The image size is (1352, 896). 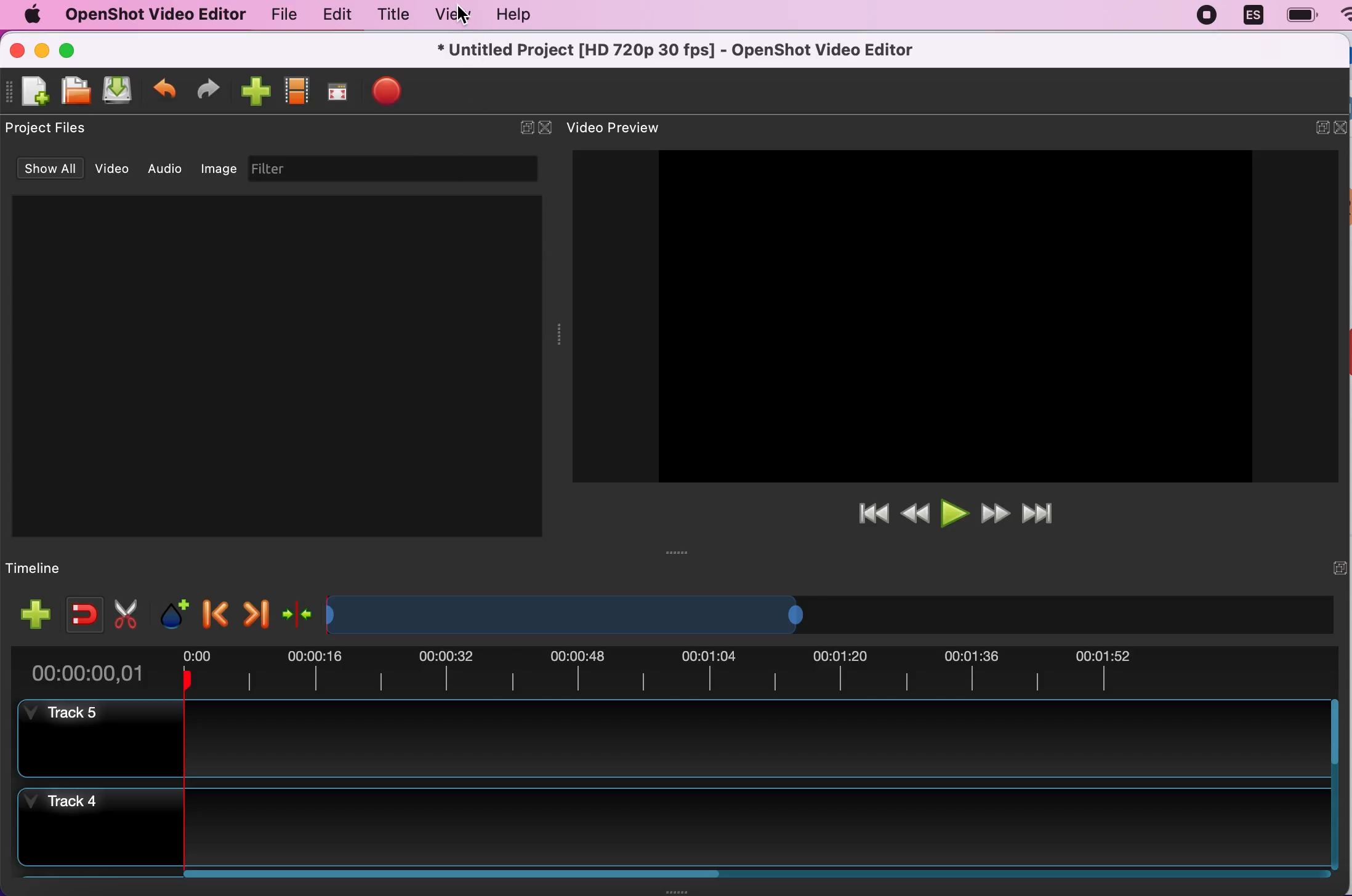 What do you see at coordinates (463, 17) in the screenshot?
I see `cursor` at bounding box center [463, 17].